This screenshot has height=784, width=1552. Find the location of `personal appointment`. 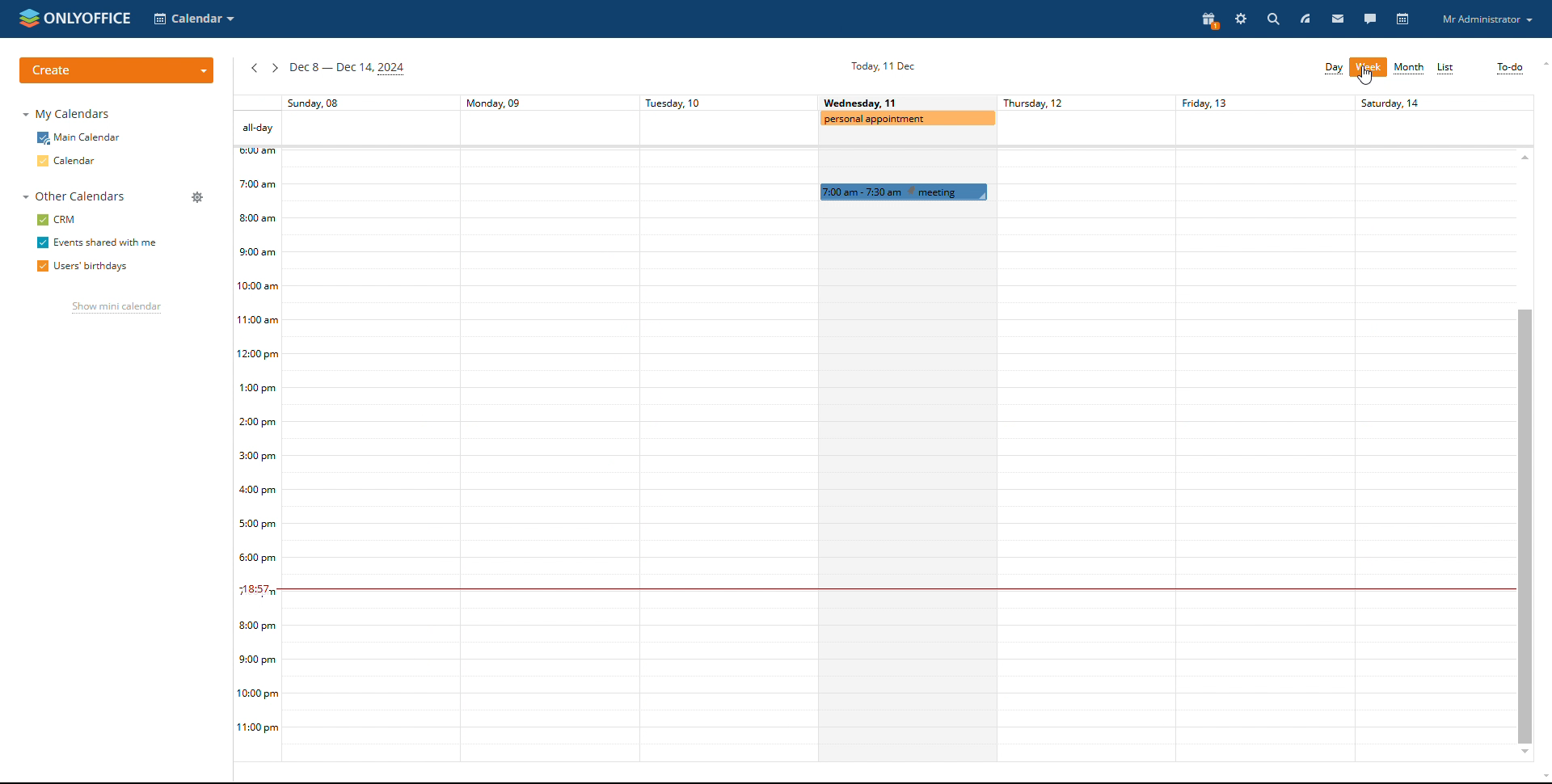

personal appointment is located at coordinates (909, 120).